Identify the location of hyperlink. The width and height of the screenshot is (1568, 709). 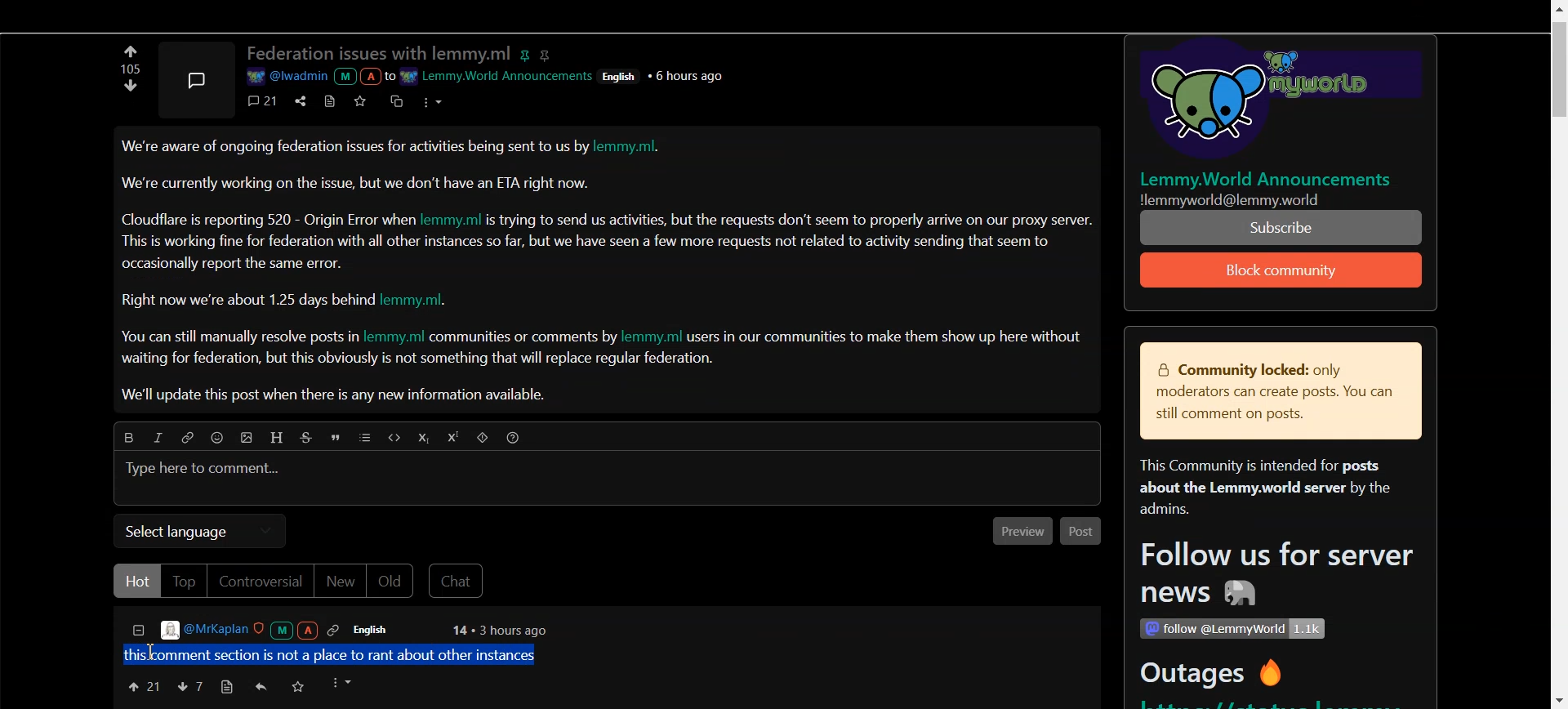
(548, 54).